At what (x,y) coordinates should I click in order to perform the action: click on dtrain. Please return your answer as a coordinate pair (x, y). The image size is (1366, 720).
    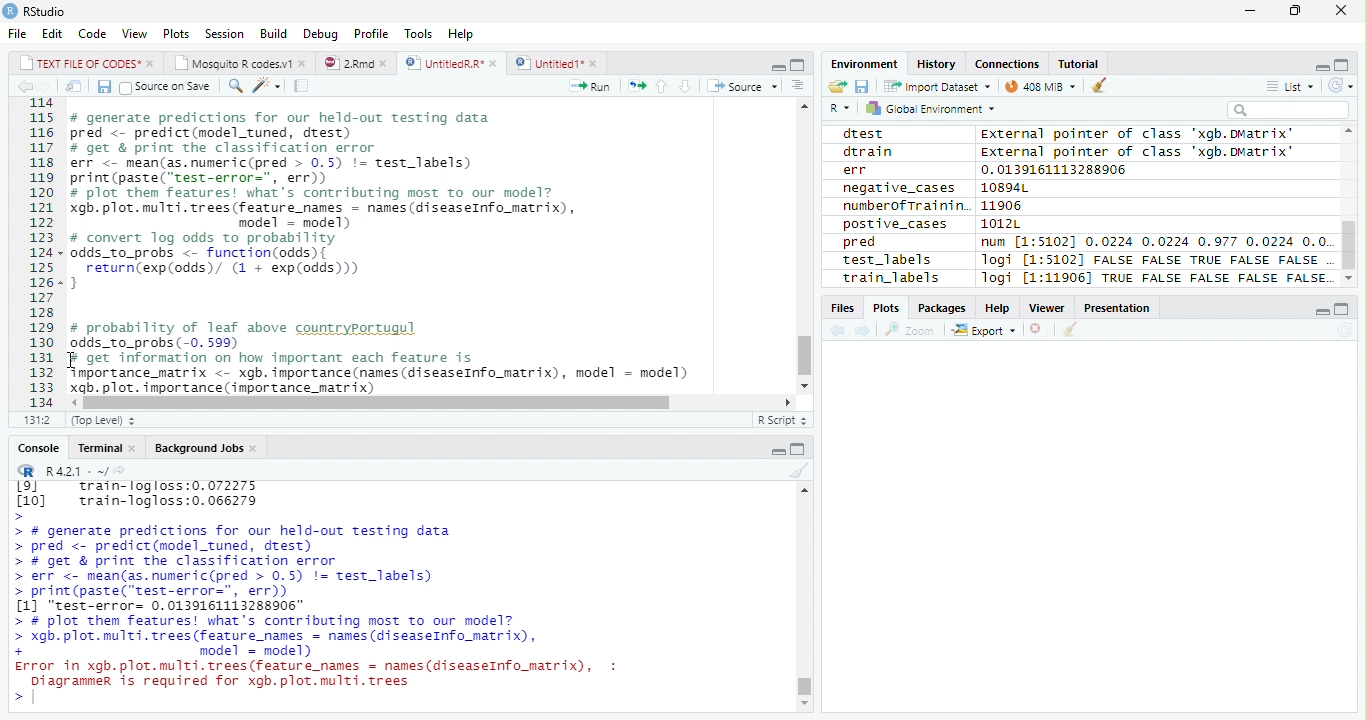
    Looking at the image, I should click on (867, 152).